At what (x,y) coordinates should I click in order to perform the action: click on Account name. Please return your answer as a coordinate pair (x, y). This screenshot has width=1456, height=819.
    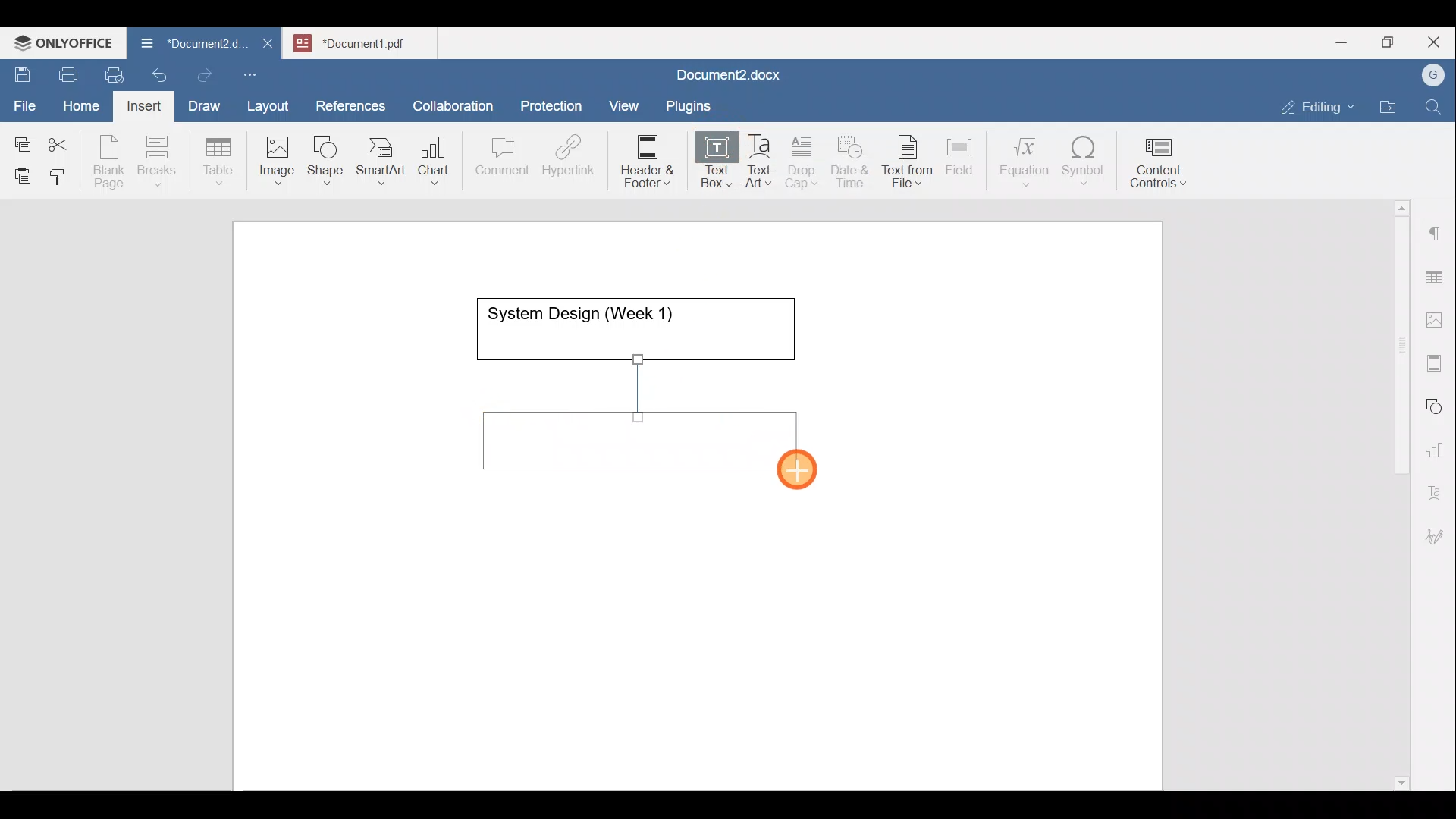
    Looking at the image, I should click on (1429, 76).